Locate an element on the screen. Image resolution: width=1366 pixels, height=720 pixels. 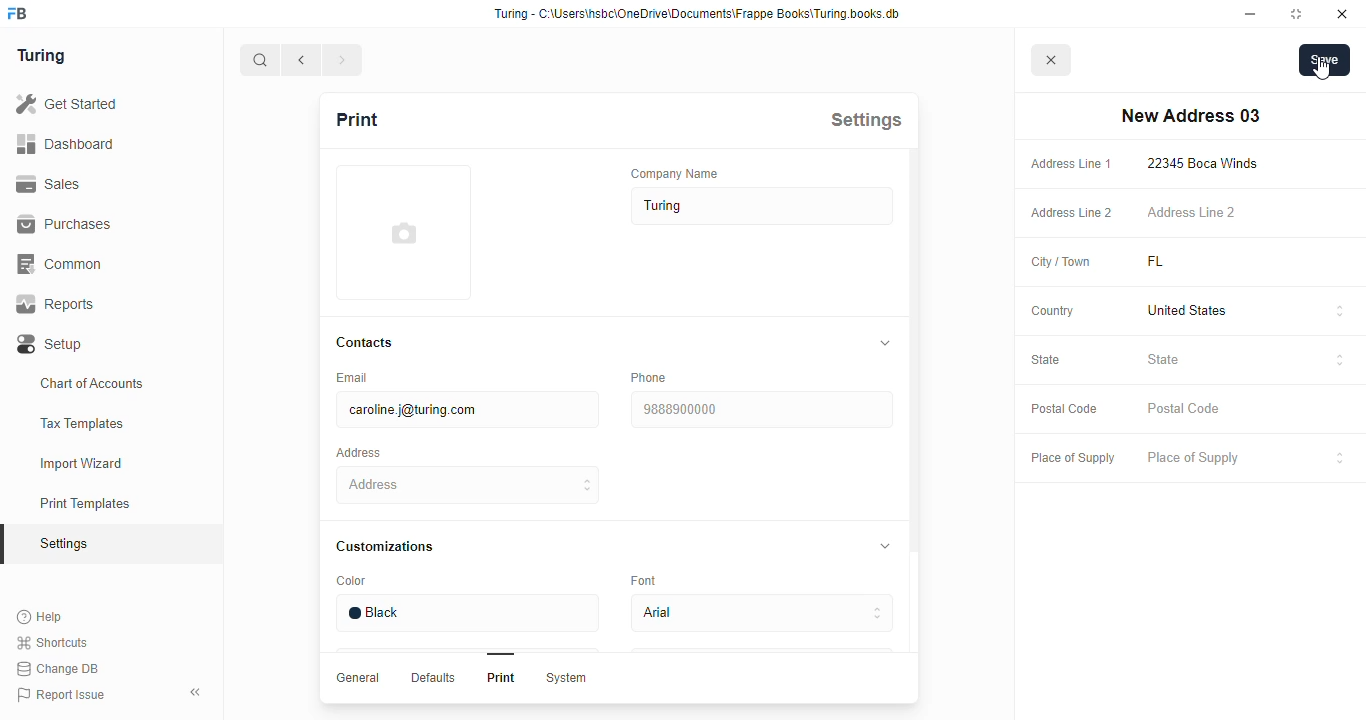
address line 1 is located at coordinates (1071, 164).